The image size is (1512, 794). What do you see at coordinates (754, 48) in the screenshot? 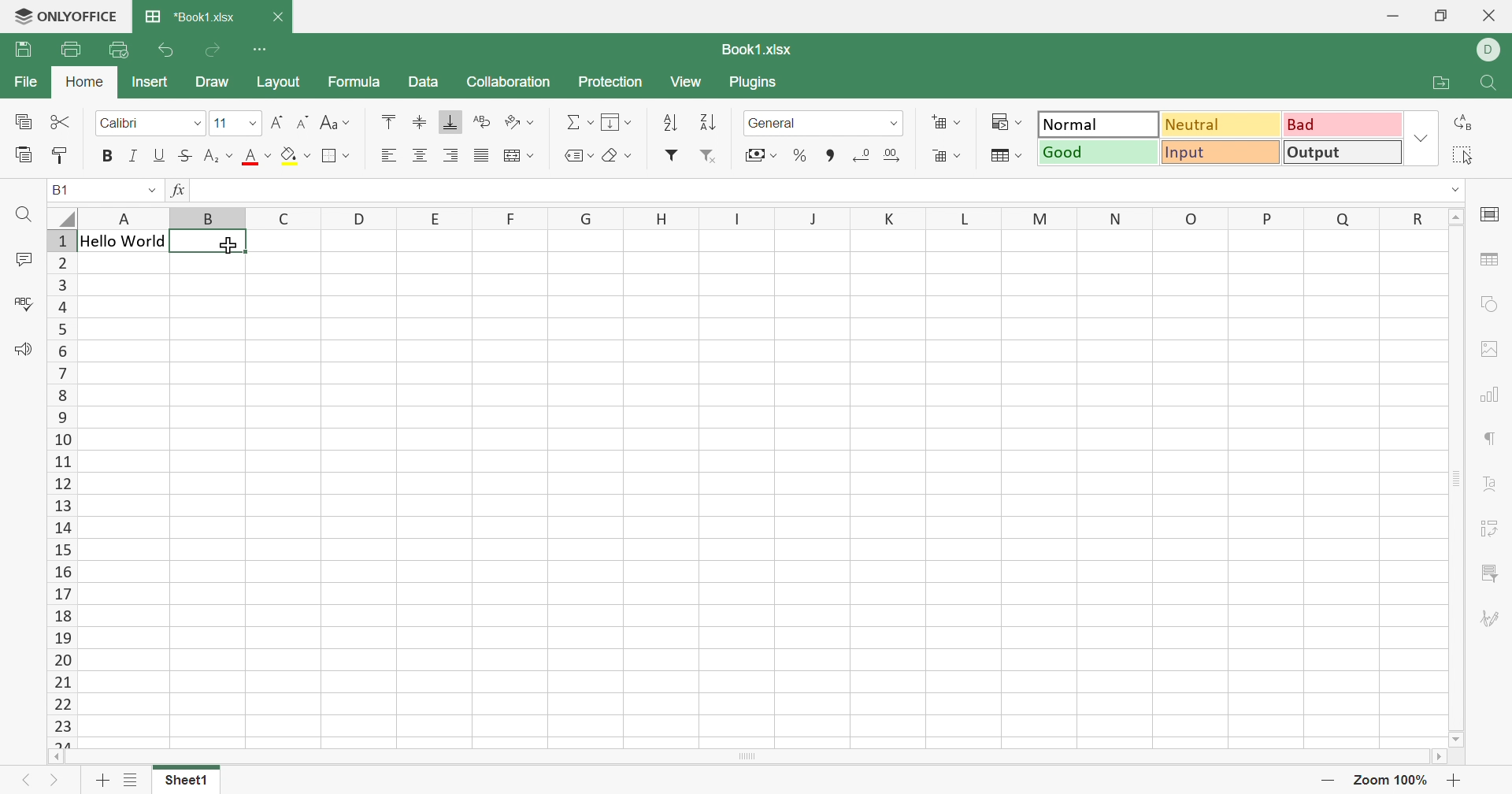
I see `Book1.xlsx` at bounding box center [754, 48].